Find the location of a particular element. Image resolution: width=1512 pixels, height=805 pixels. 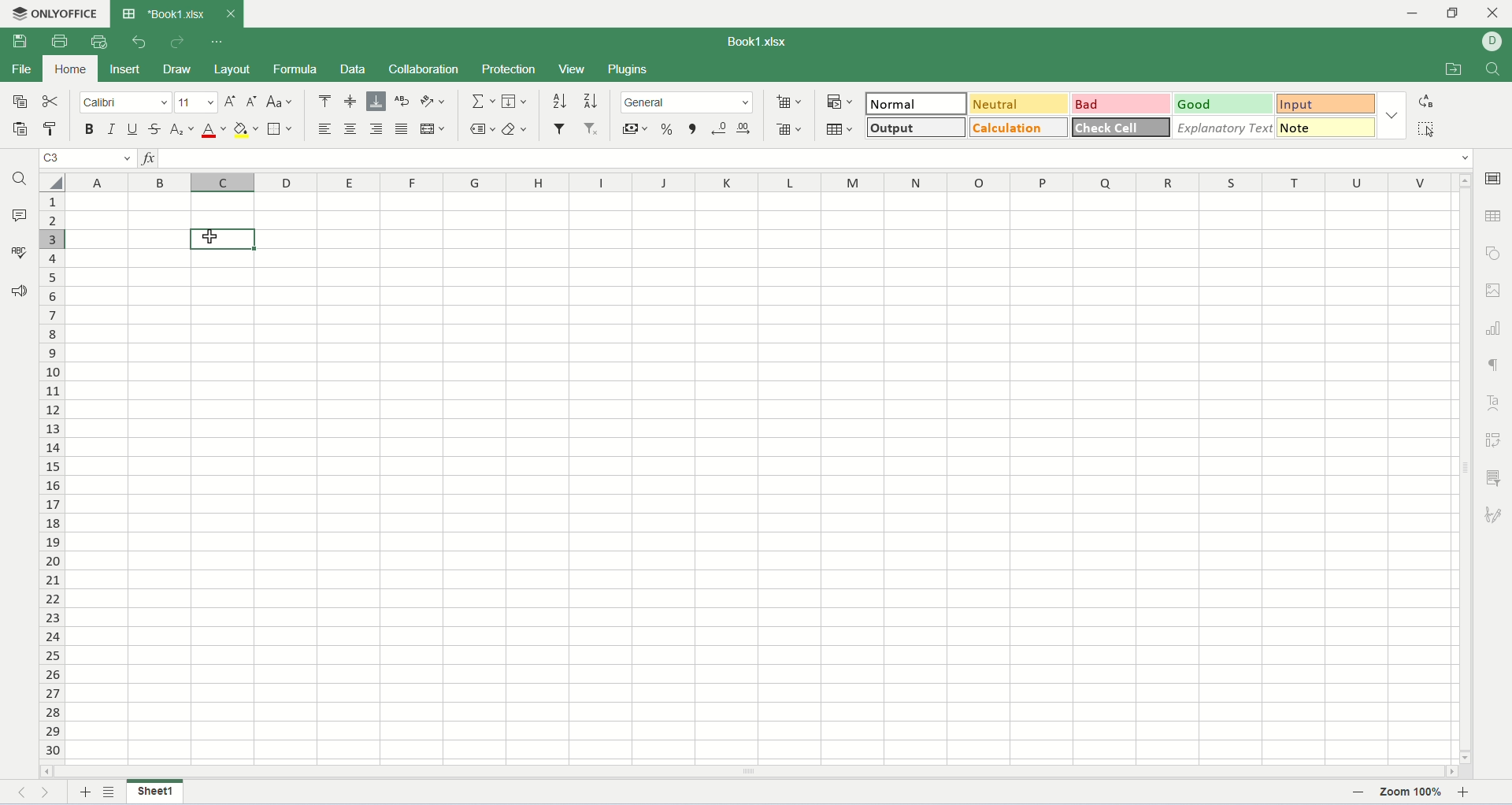

filter is located at coordinates (561, 128).